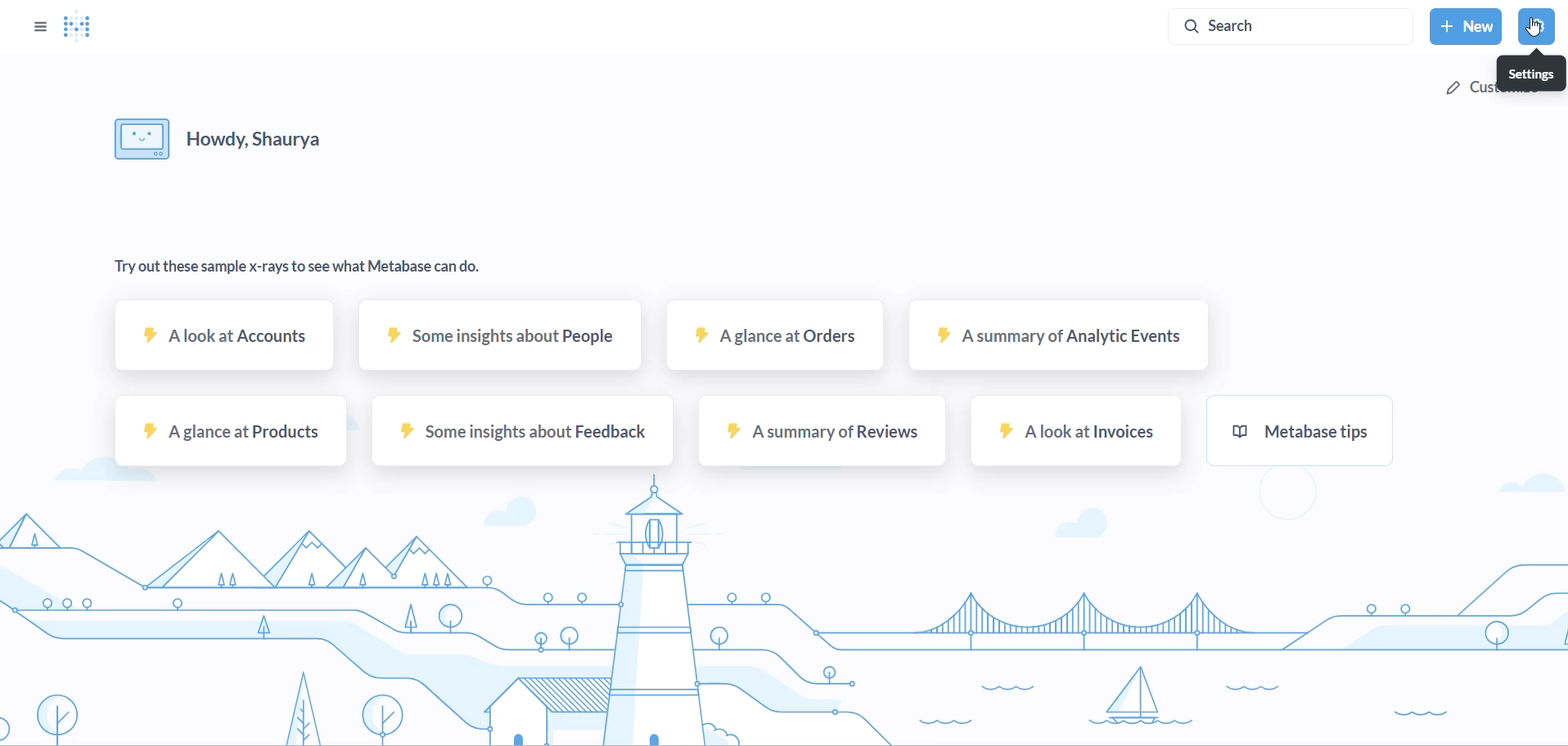  What do you see at coordinates (1542, 33) in the screenshot?
I see `CURSOR` at bounding box center [1542, 33].